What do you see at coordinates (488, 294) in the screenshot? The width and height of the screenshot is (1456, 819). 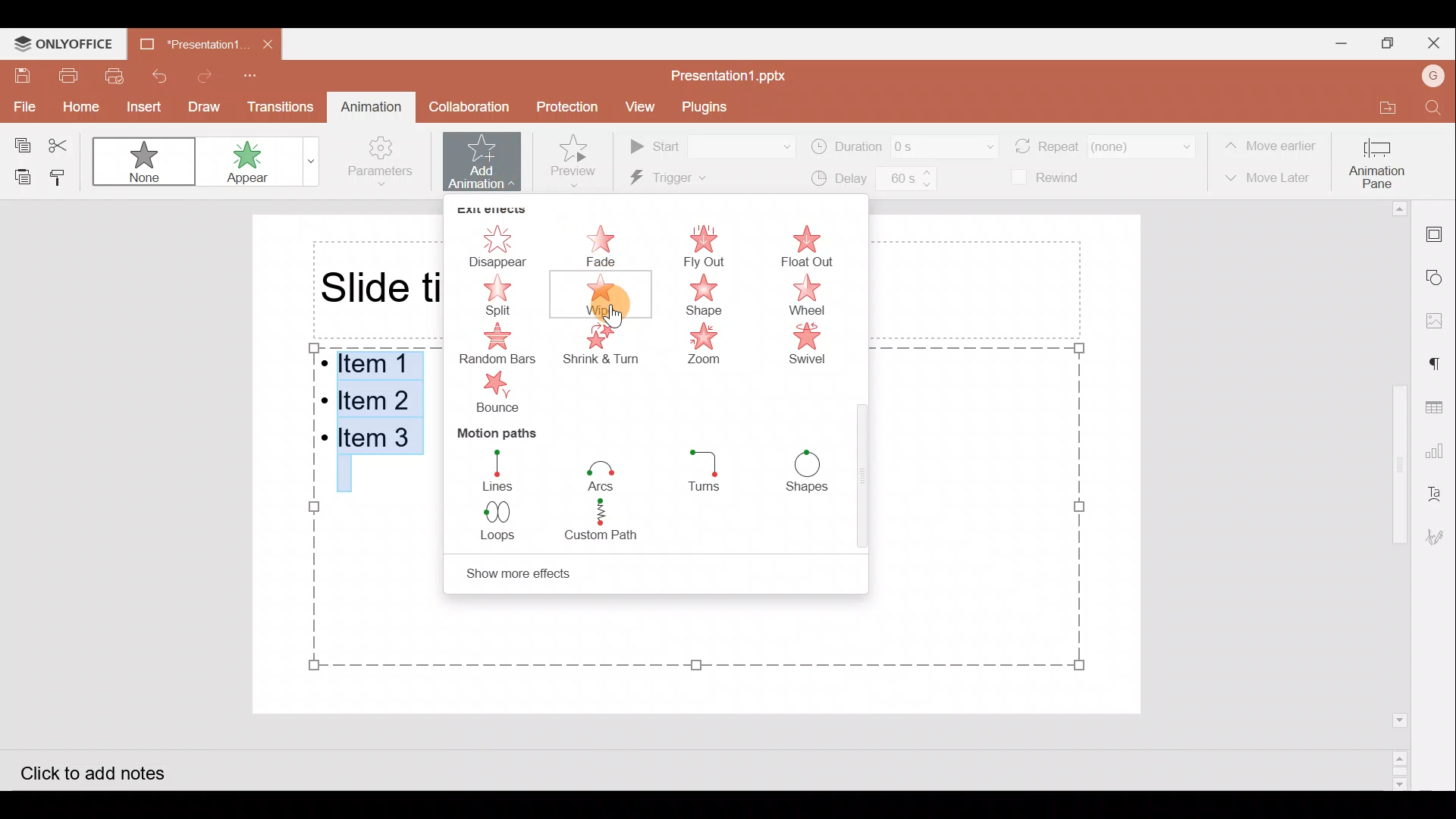 I see `Split` at bounding box center [488, 294].